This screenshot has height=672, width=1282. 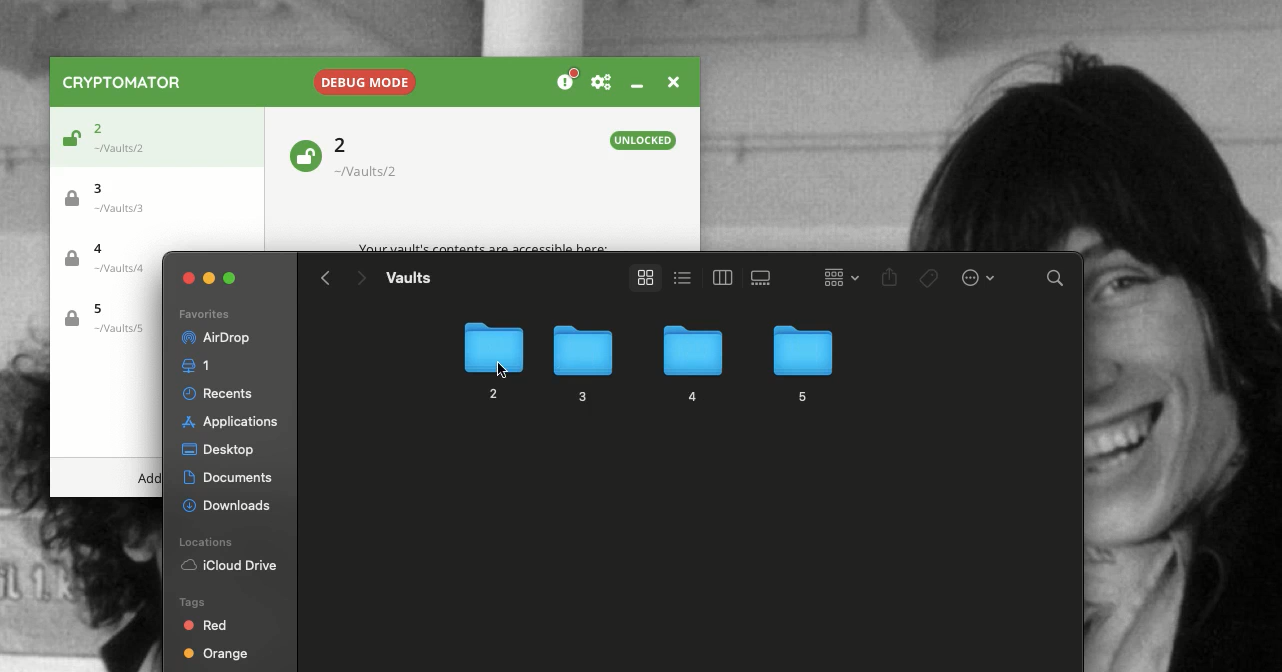 What do you see at coordinates (671, 80) in the screenshot?
I see `Close` at bounding box center [671, 80].